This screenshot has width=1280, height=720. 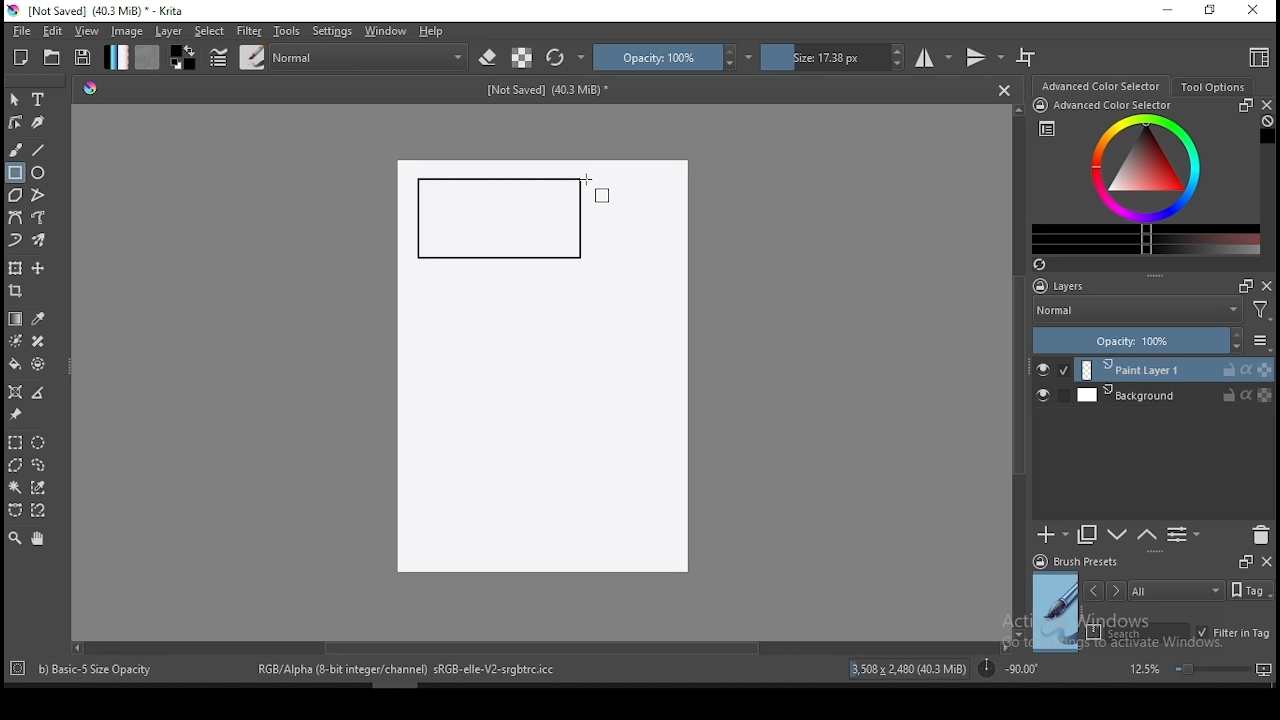 What do you see at coordinates (217, 57) in the screenshot?
I see `brush settings` at bounding box center [217, 57].